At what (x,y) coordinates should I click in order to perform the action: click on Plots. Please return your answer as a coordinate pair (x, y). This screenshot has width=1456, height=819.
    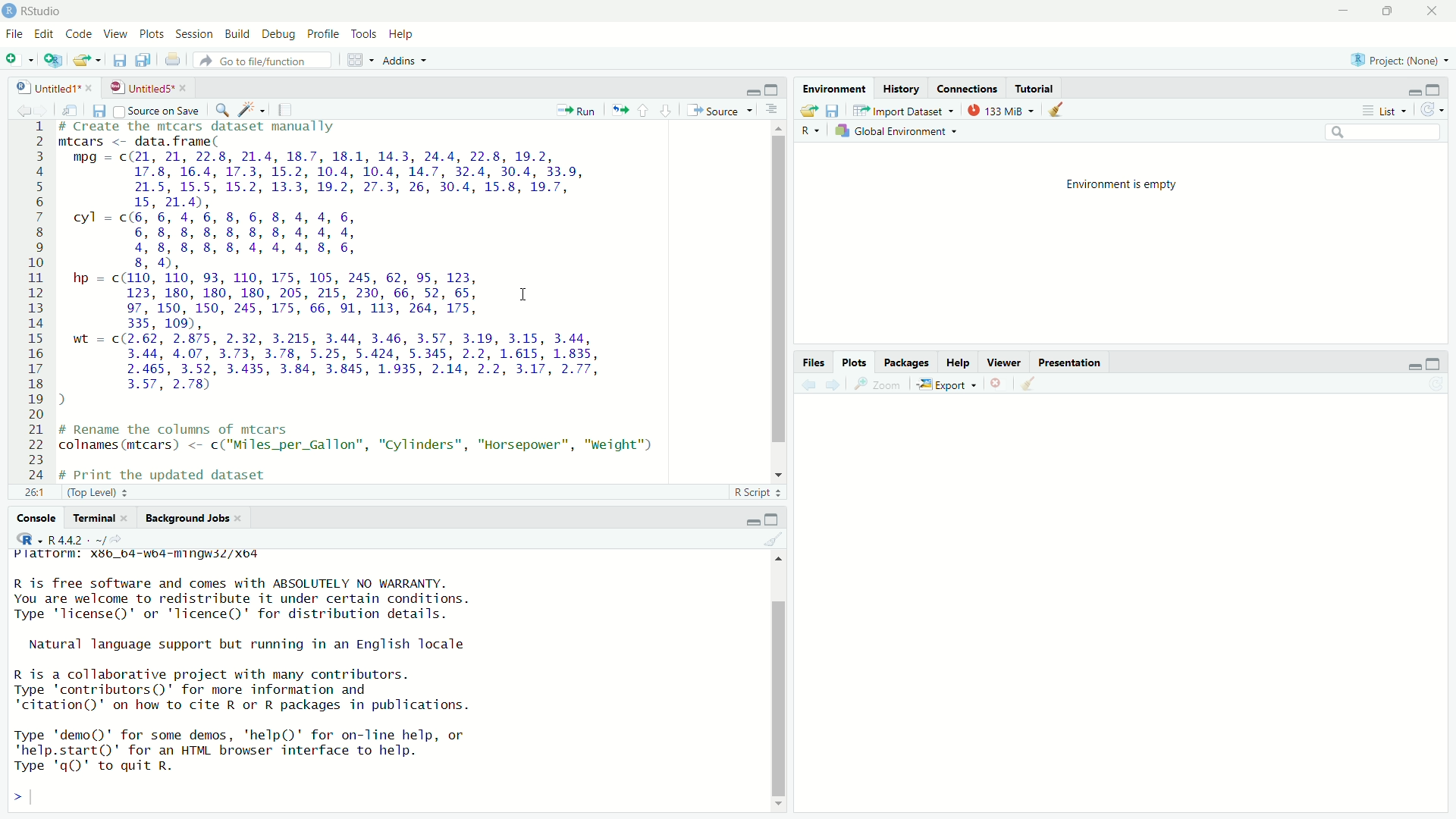
    Looking at the image, I should click on (150, 33).